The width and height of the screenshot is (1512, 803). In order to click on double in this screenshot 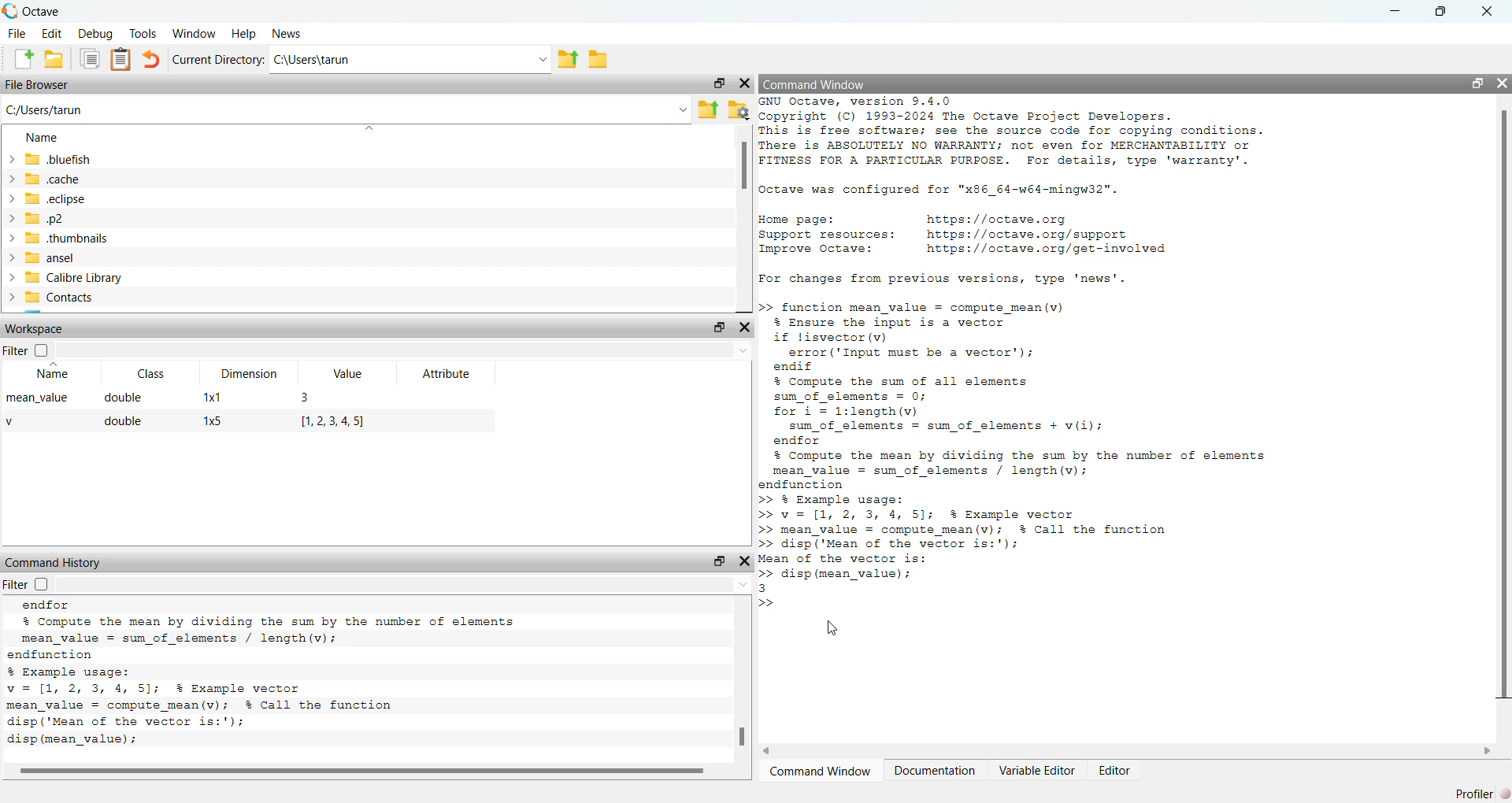, I will do `click(124, 422)`.